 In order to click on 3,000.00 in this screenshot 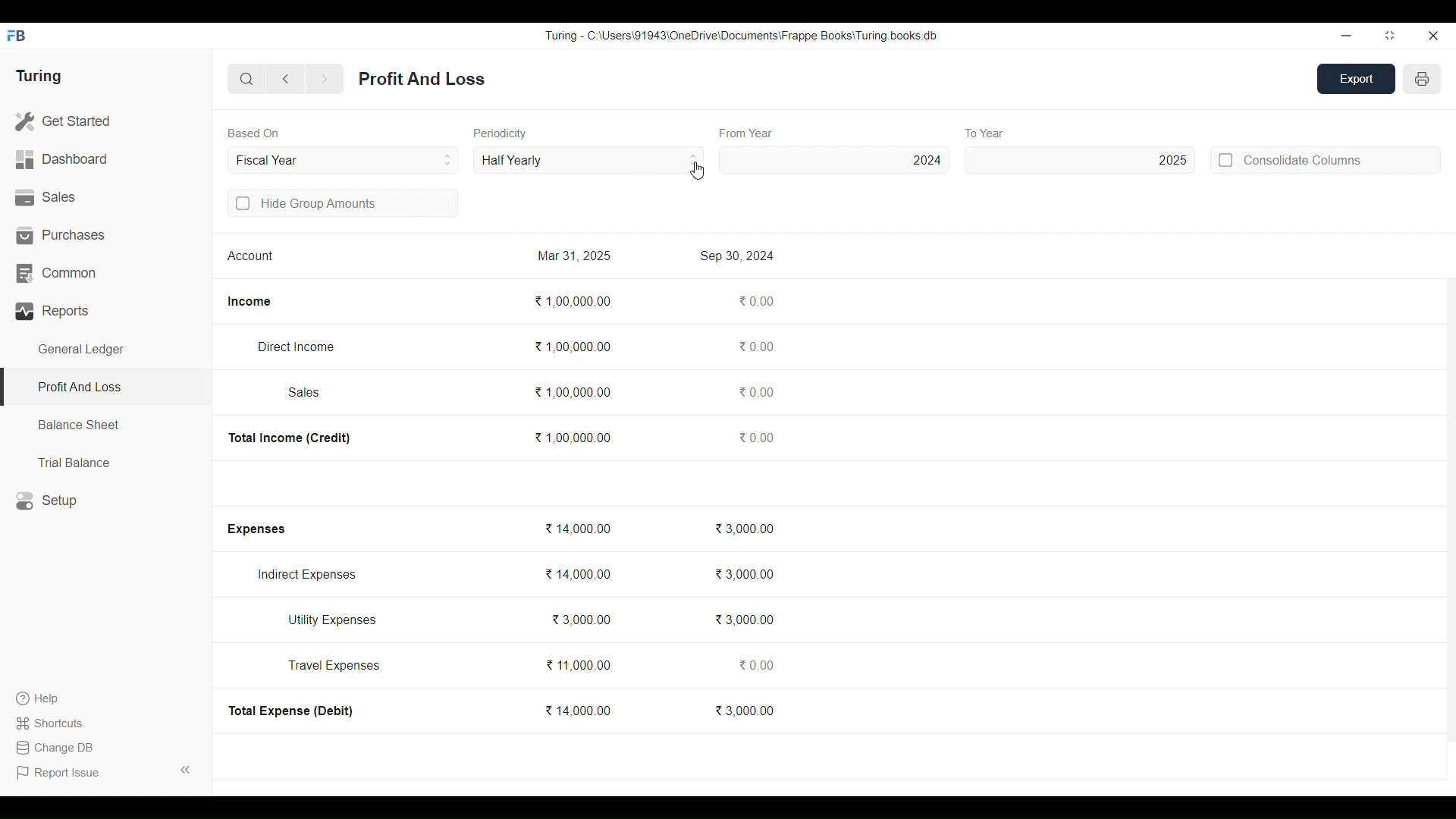, I will do `click(744, 529)`.